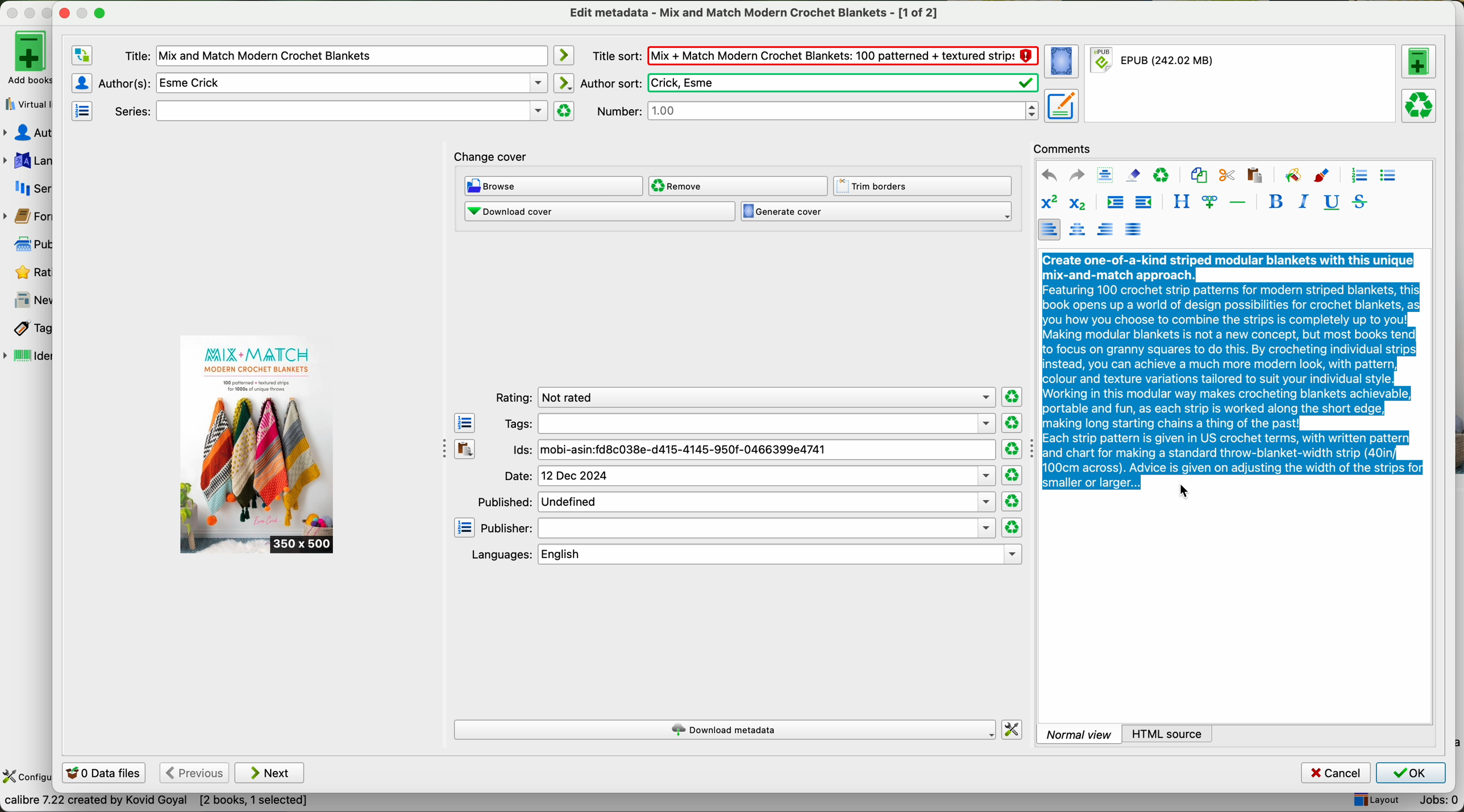 The width and height of the screenshot is (1464, 812). Describe the element at coordinates (1079, 734) in the screenshot. I see `normal view` at that location.